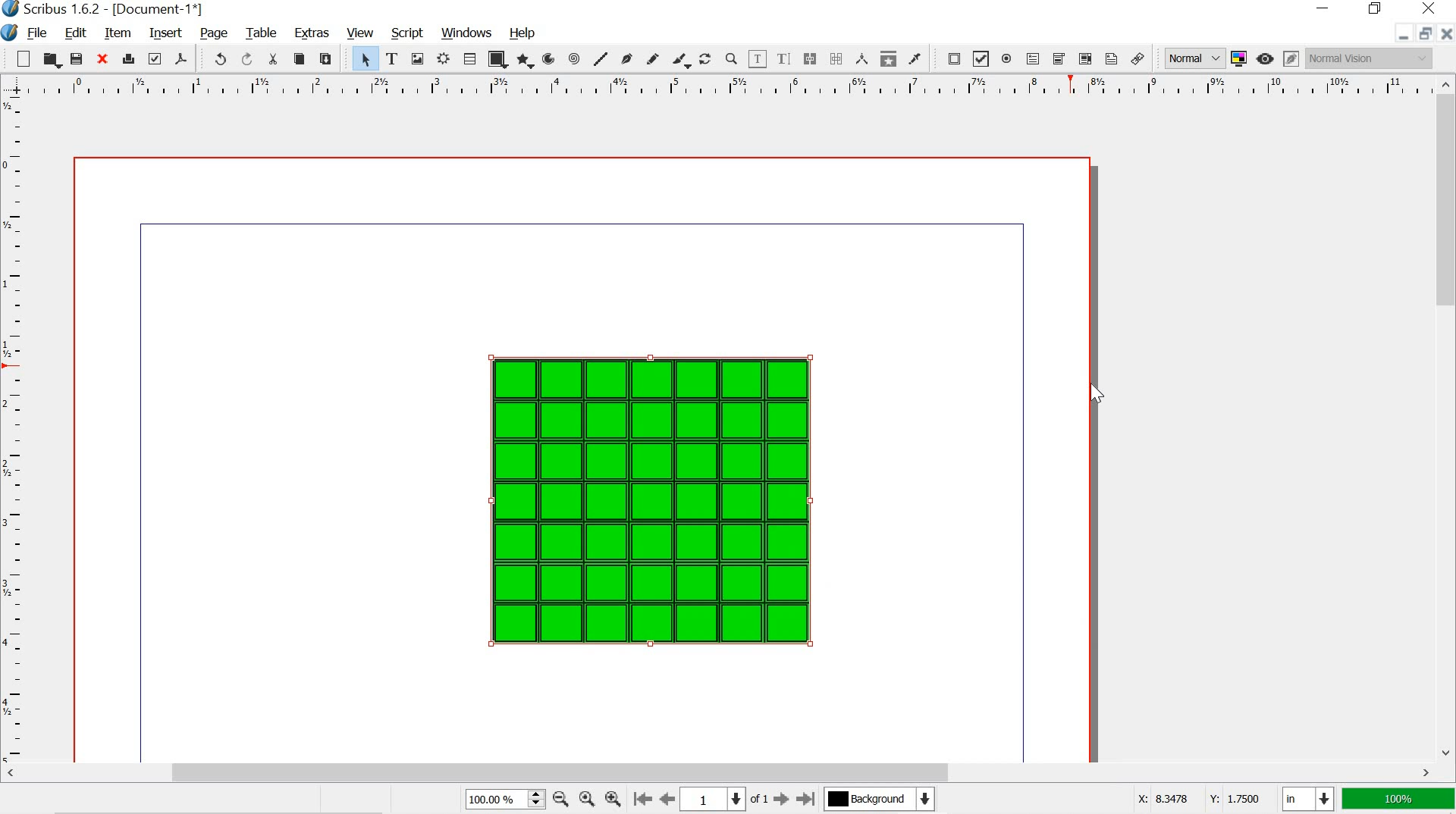 This screenshot has height=814, width=1456. What do you see at coordinates (1032, 58) in the screenshot?
I see `pdf text field` at bounding box center [1032, 58].